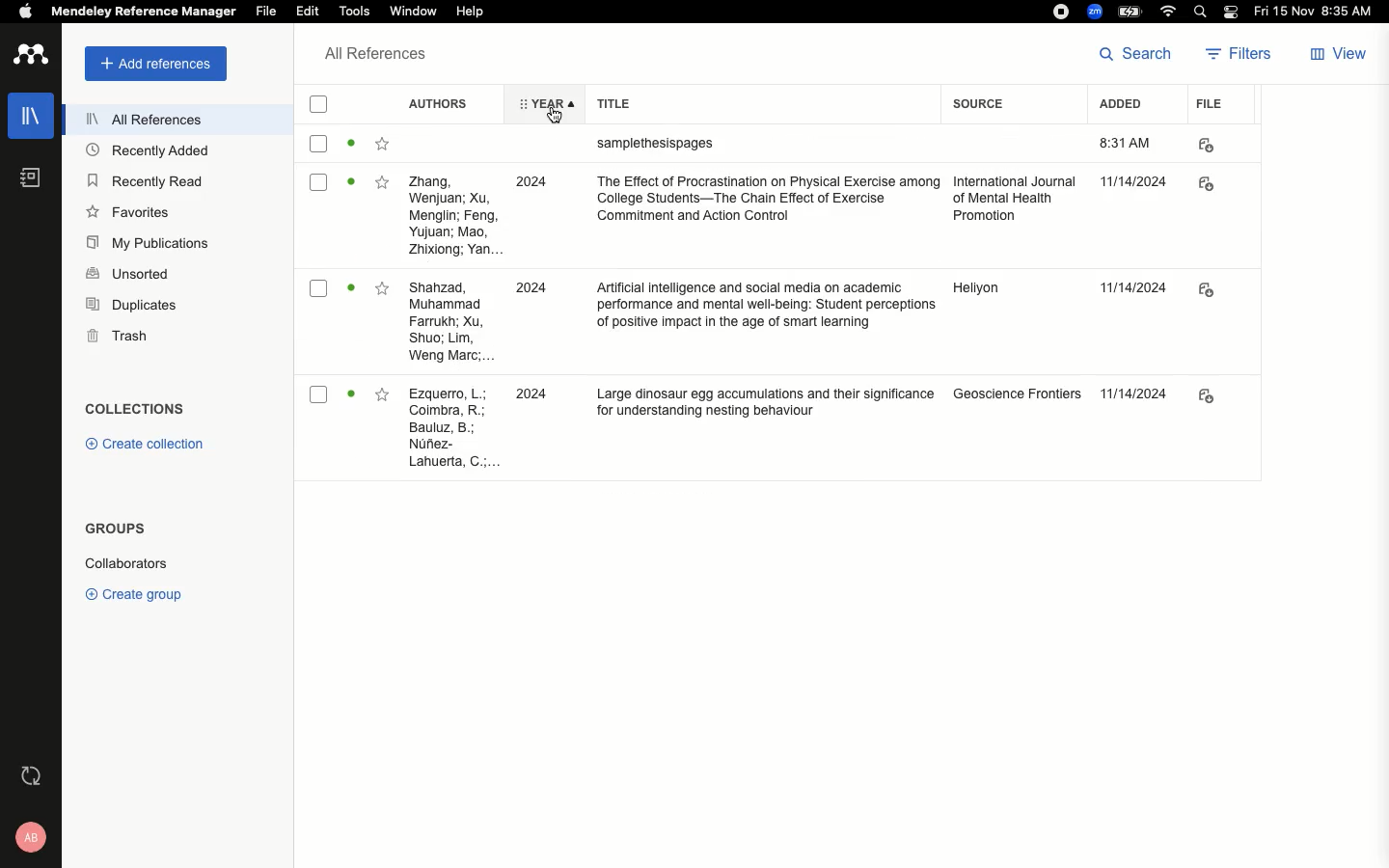 The height and width of the screenshot is (868, 1389). I want to click on Recently added, so click(143, 152).